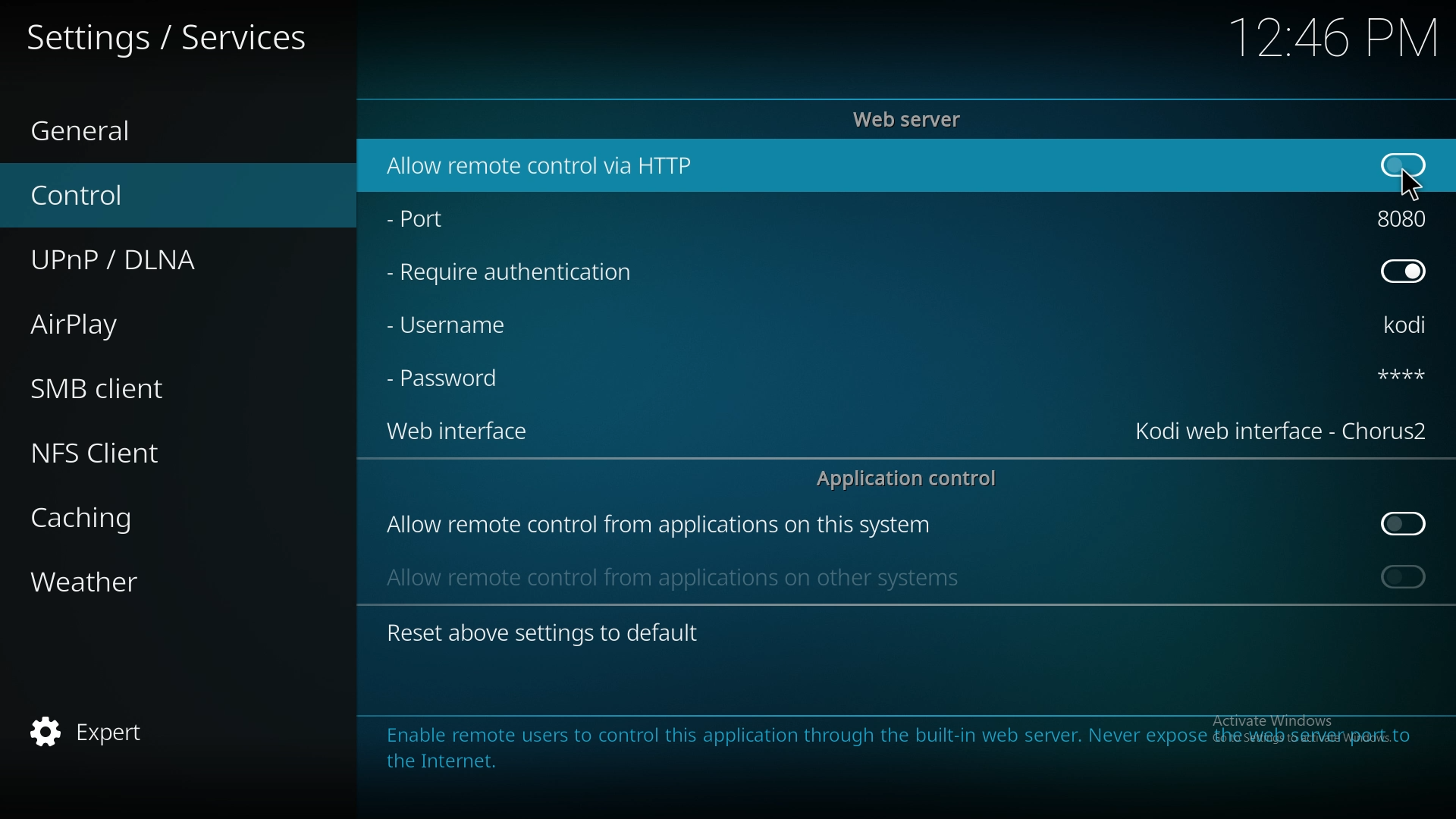 This screenshot has height=819, width=1456. What do you see at coordinates (449, 325) in the screenshot?
I see `username` at bounding box center [449, 325].